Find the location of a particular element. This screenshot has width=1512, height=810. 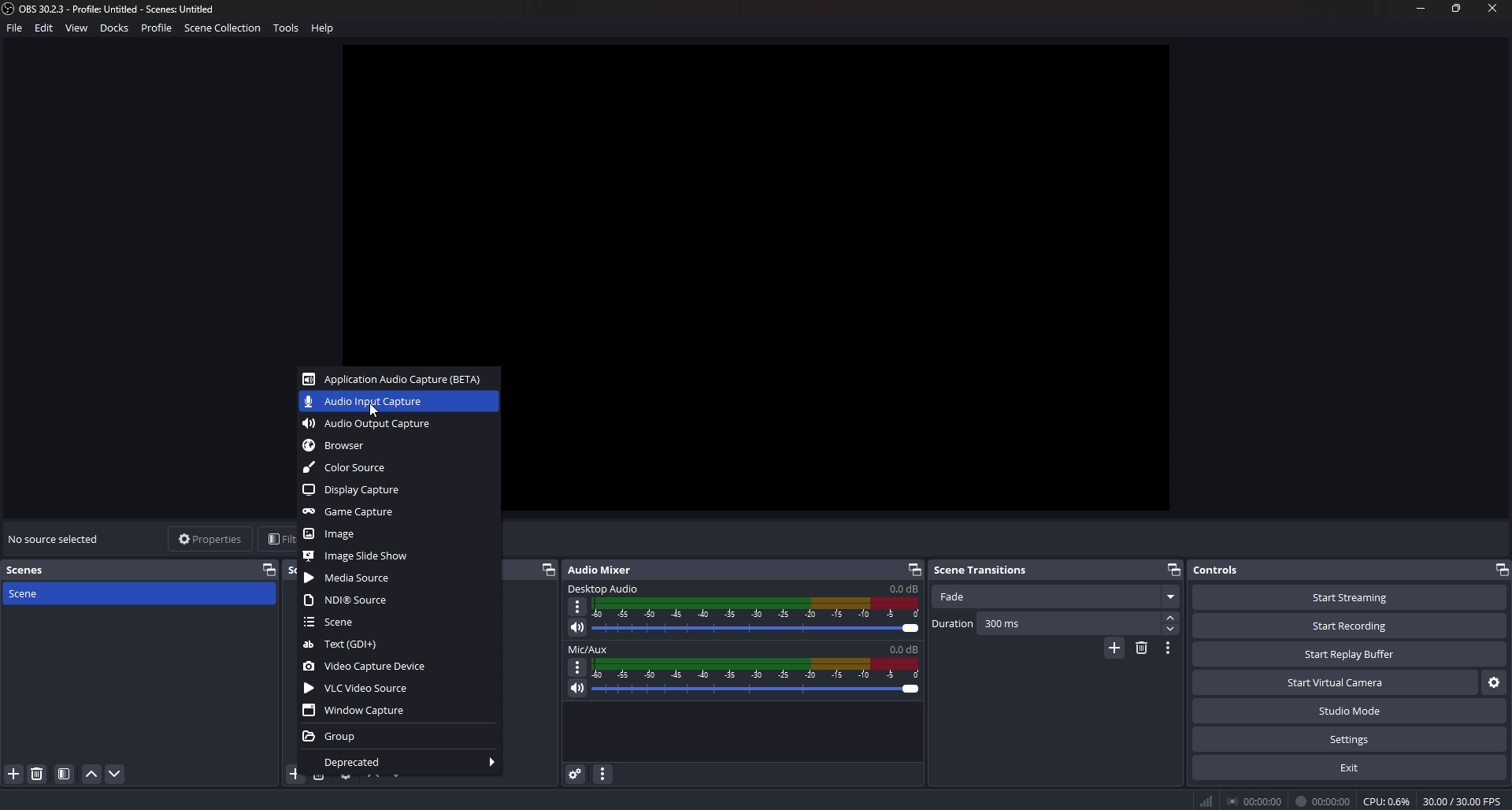

settings is located at coordinates (1496, 683).